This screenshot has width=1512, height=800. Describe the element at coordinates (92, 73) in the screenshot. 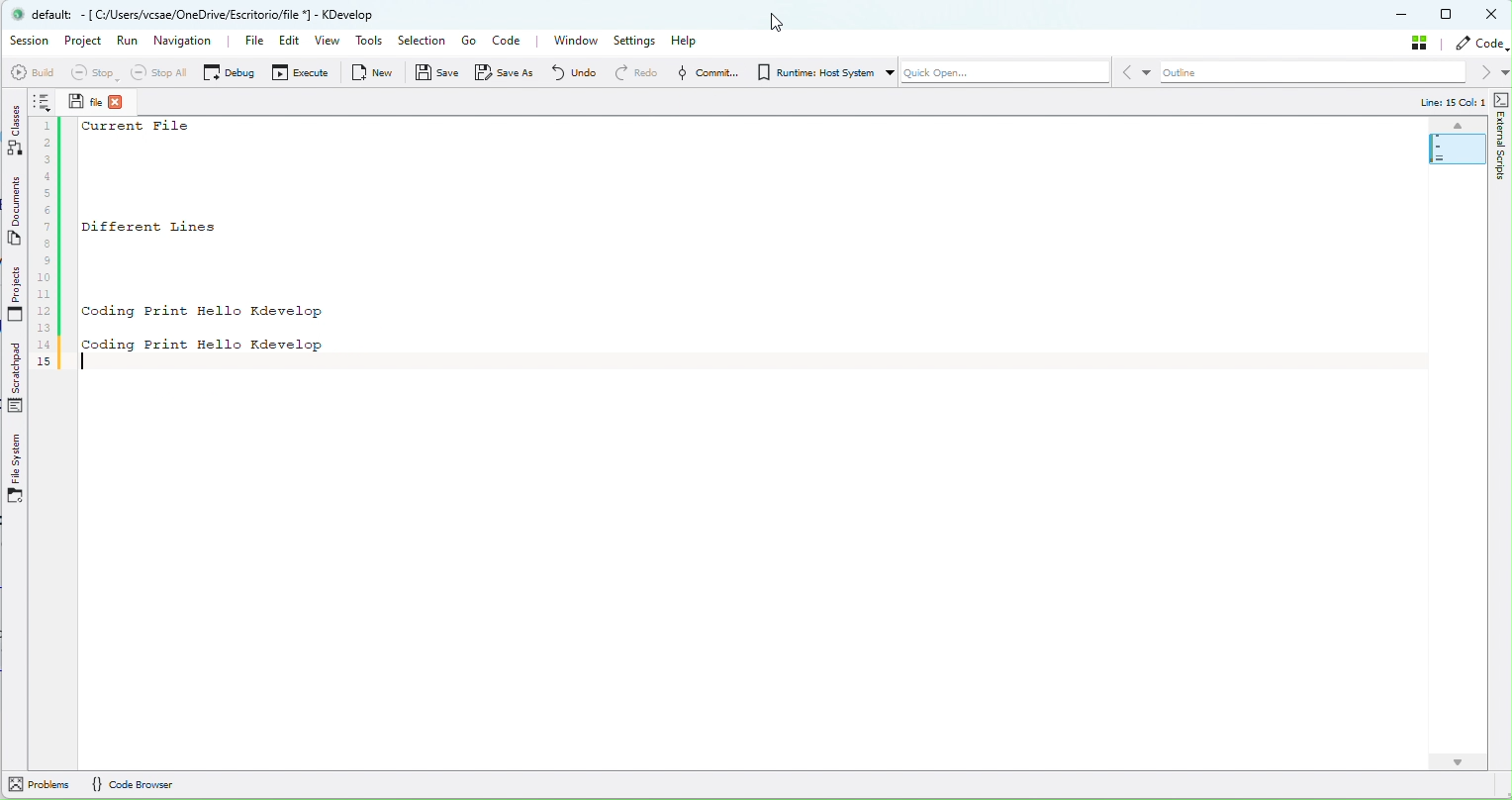

I see `stop` at that location.